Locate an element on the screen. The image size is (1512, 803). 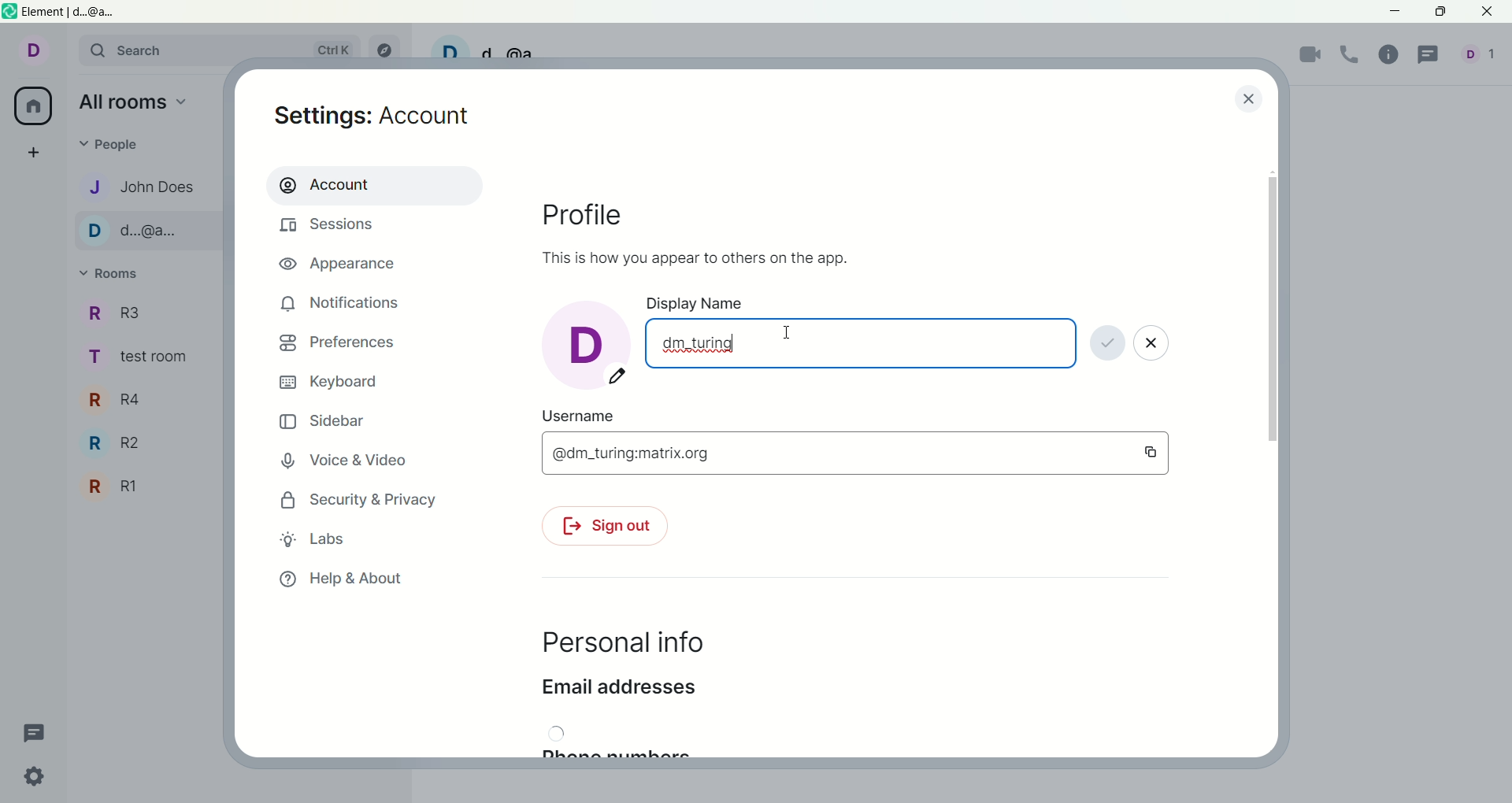
element|d..@a.. is located at coordinates (87, 13).